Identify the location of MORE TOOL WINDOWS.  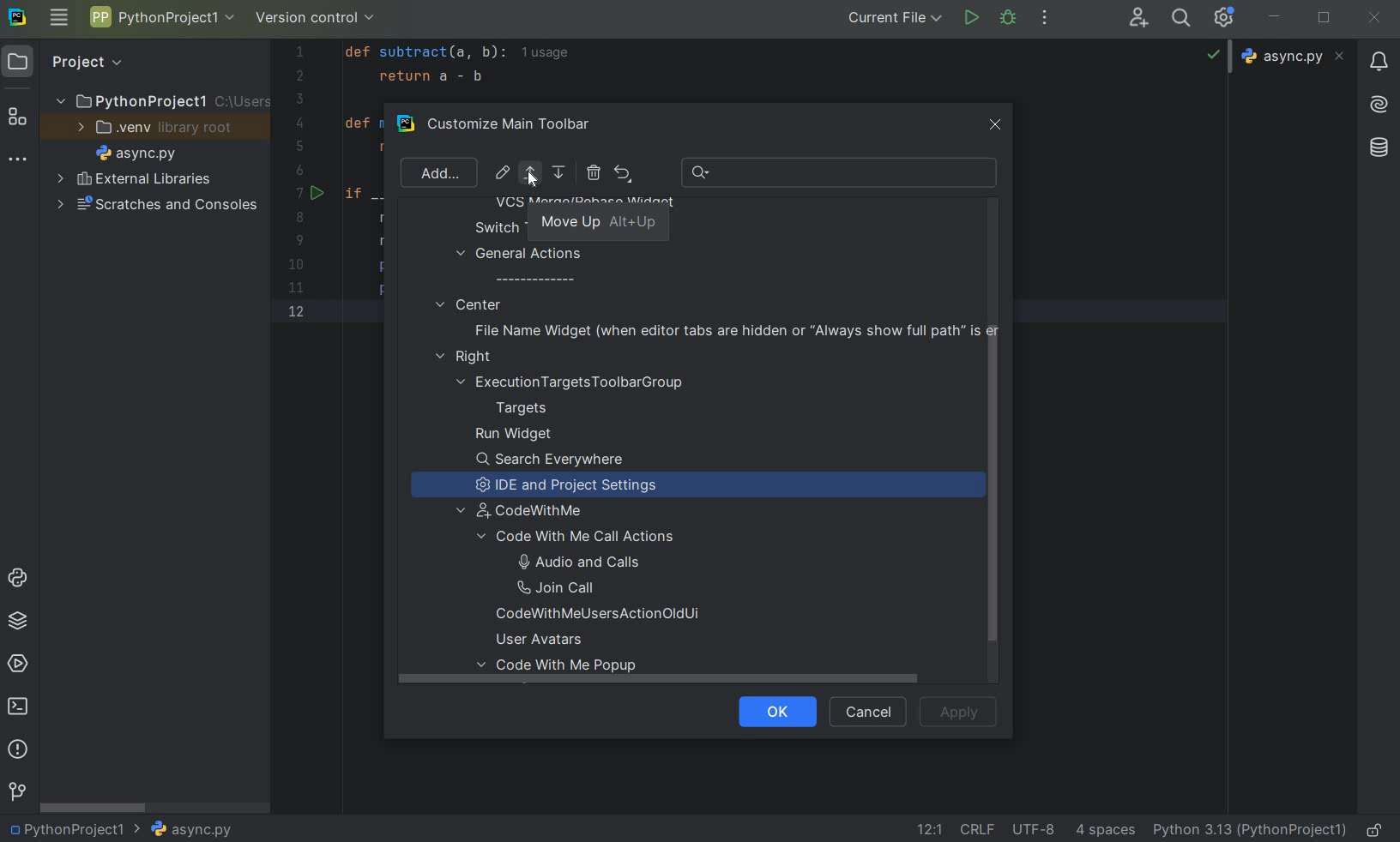
(18, 160).